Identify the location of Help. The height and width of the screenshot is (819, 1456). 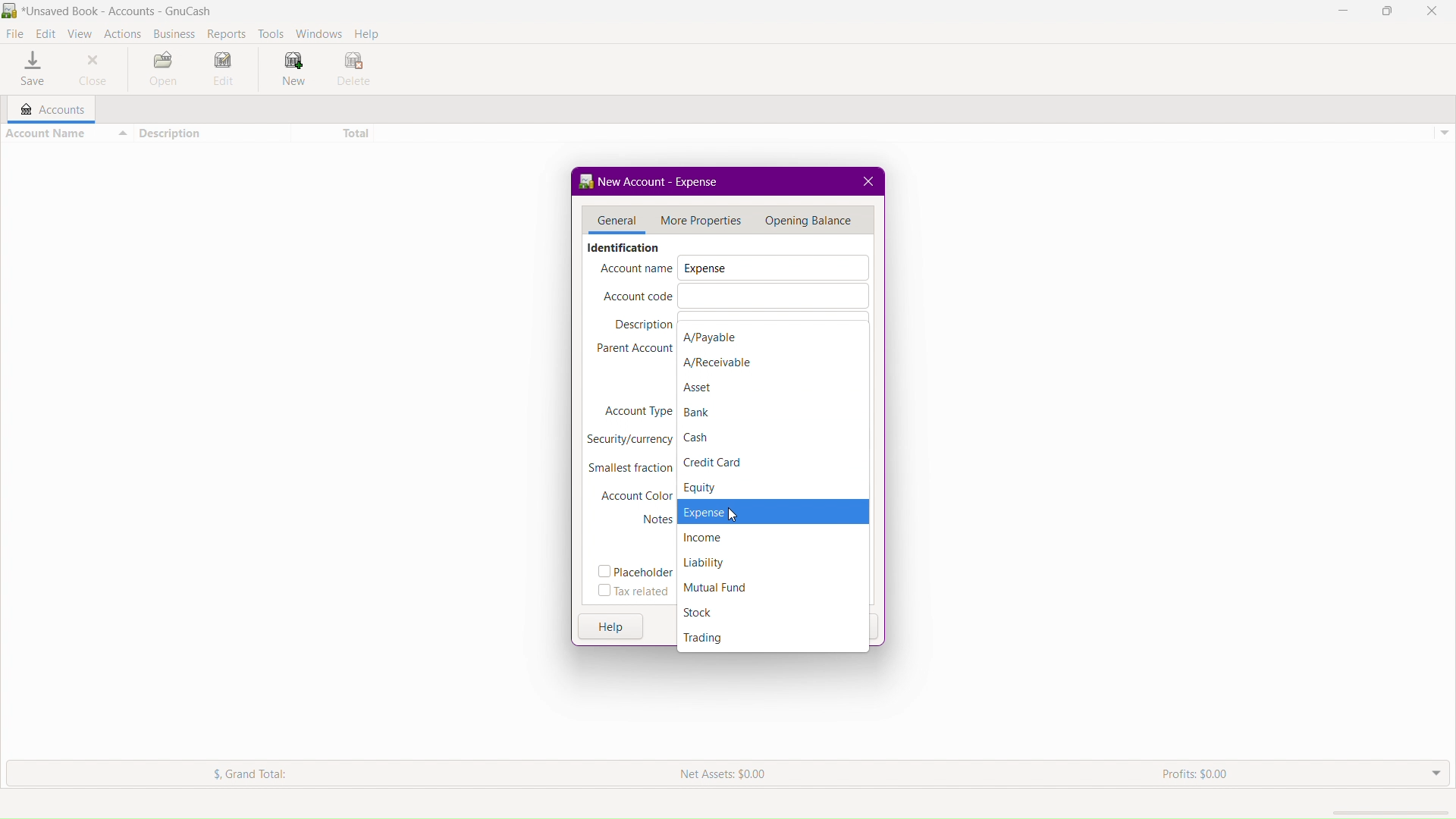
(369, 32).